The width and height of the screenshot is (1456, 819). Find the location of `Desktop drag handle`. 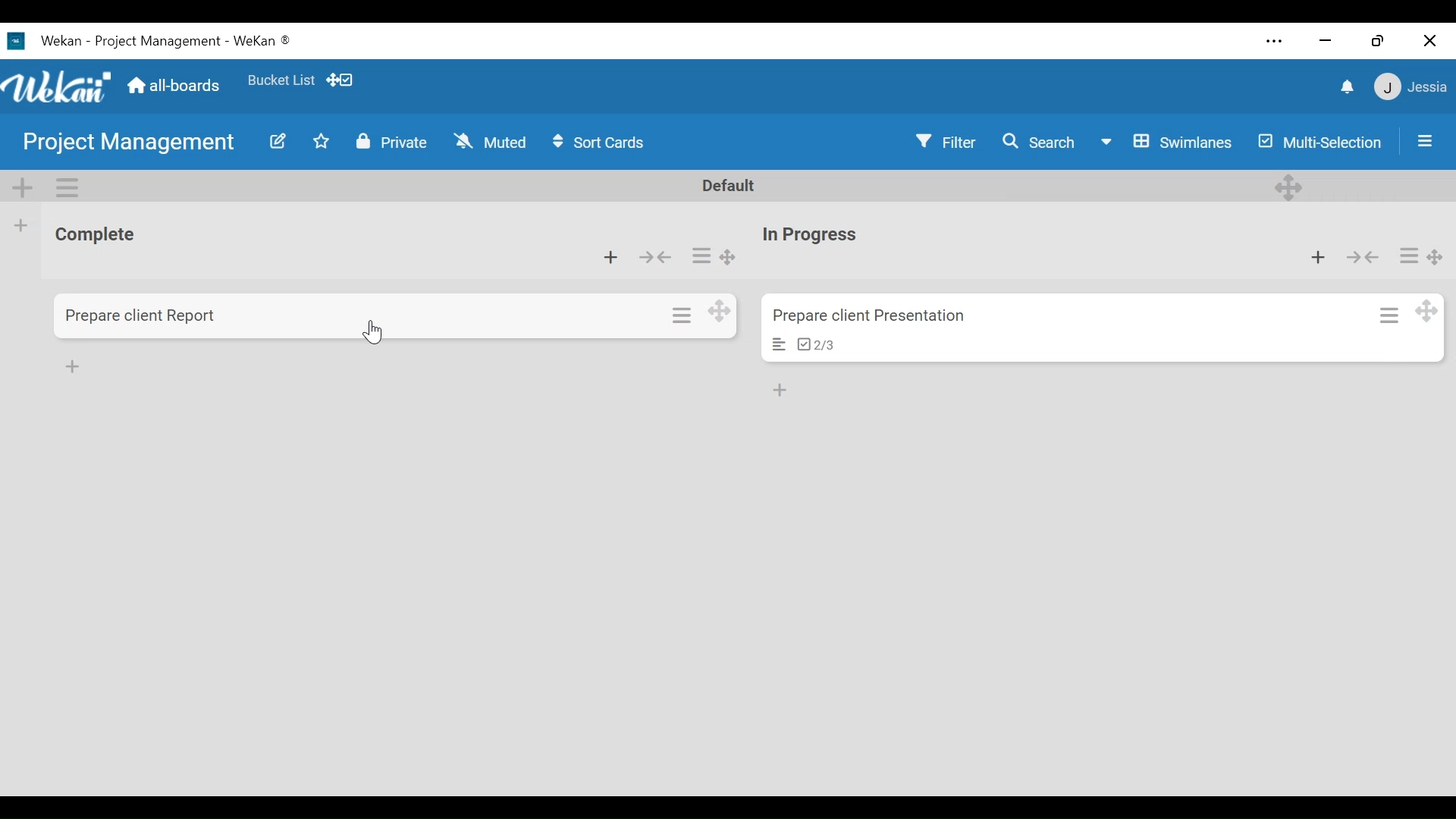

Desktop drag handle is located at coordinates (726, 257).